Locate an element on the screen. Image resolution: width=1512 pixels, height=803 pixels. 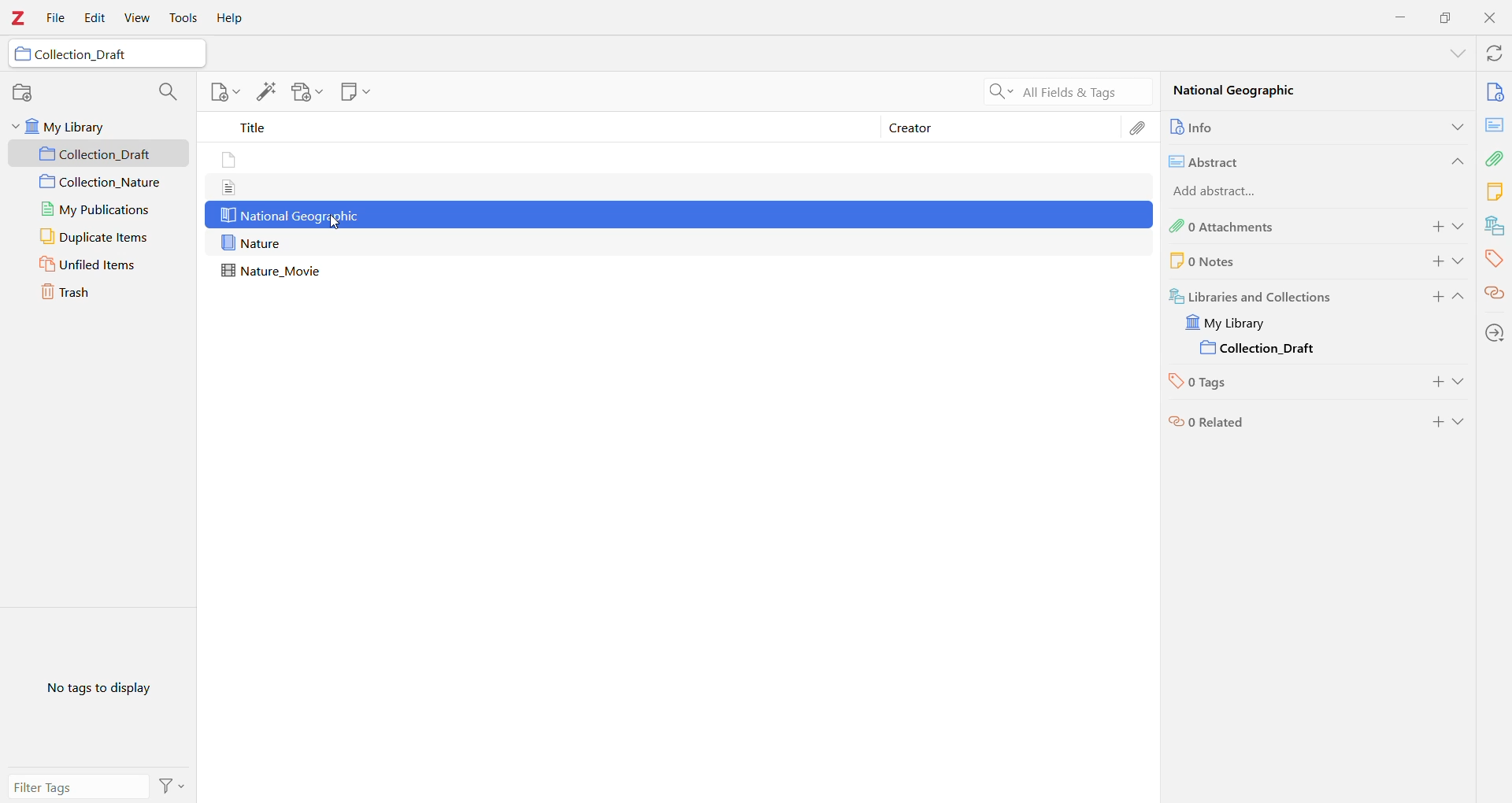
Expand Section is located at coordinates (1461, 422).